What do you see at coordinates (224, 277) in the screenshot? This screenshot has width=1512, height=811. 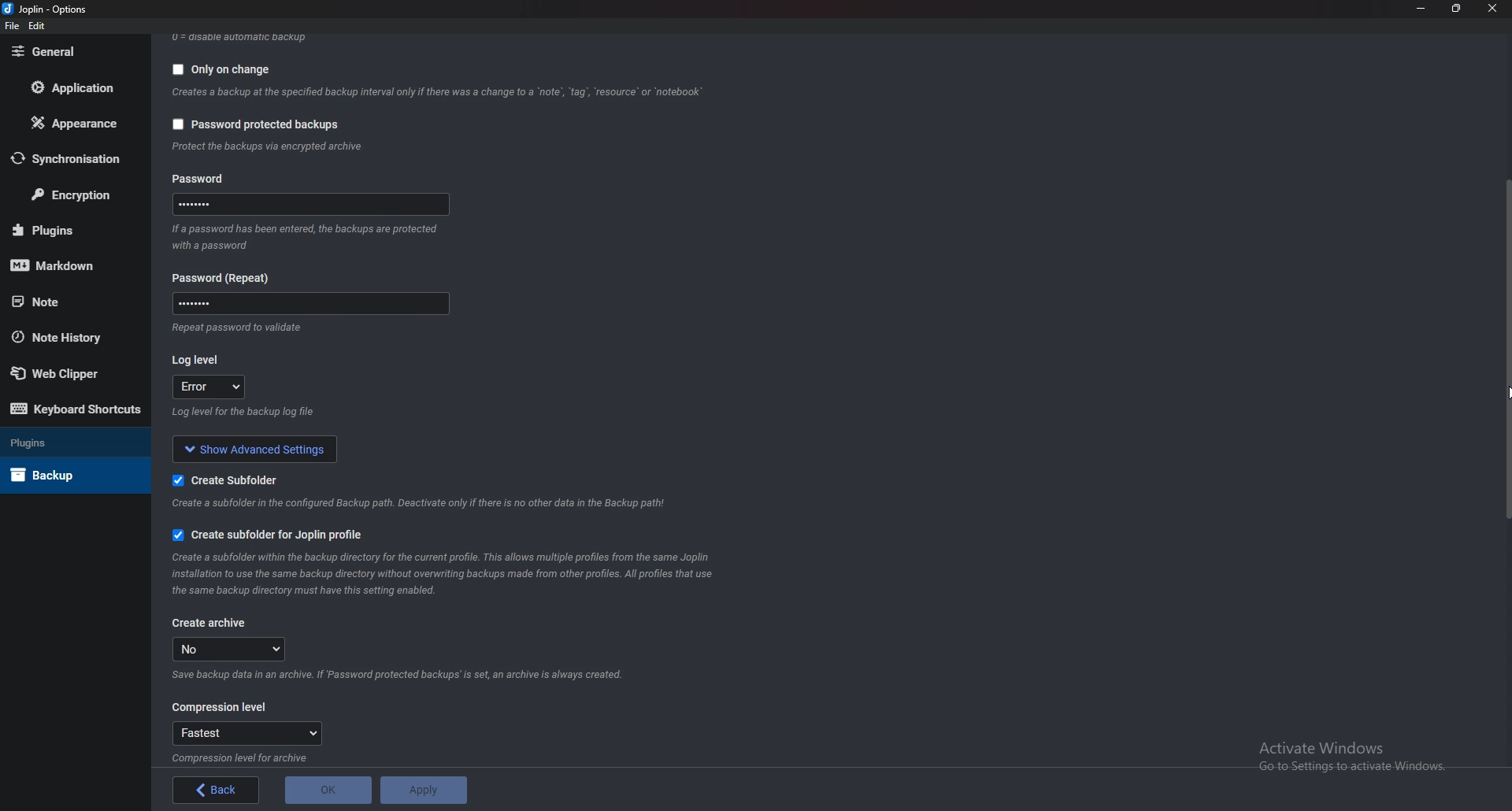 I see `Password` at bounding box center [224, 277].